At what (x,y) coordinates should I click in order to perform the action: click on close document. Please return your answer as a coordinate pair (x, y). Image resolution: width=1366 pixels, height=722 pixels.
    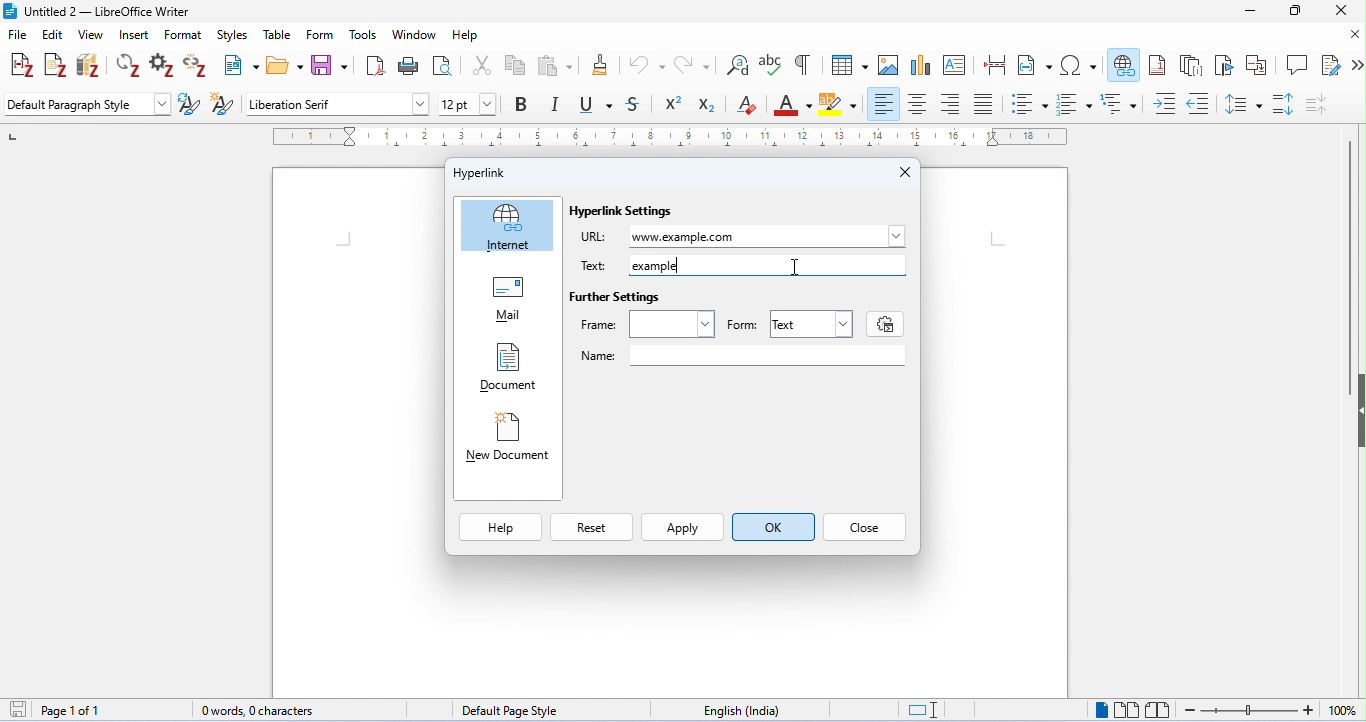
    Looking at the image, I should click on (1354, 35).